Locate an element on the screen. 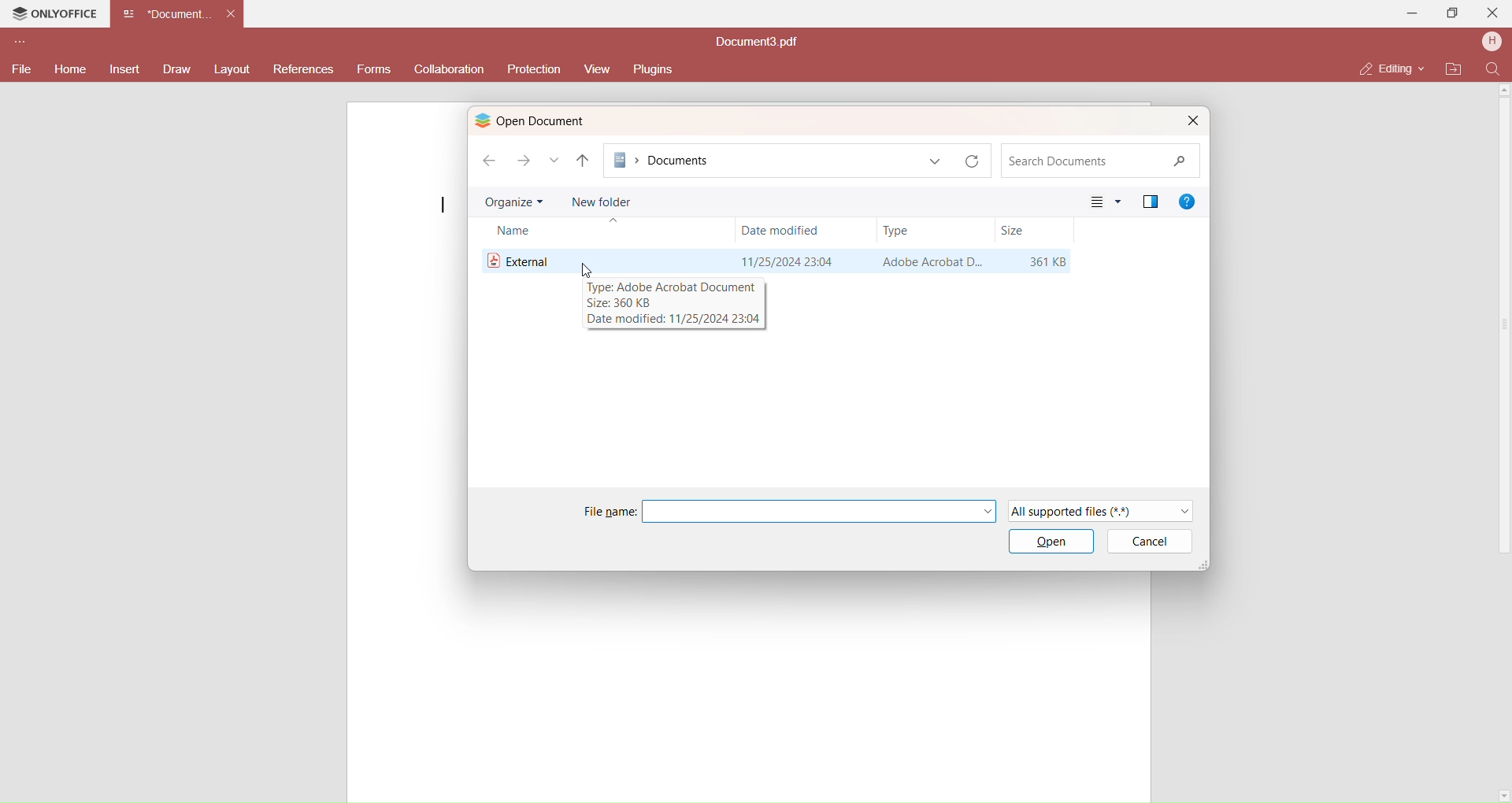 This screenshot has height=803, width=1512. Type is located at coordinates (898, 230).